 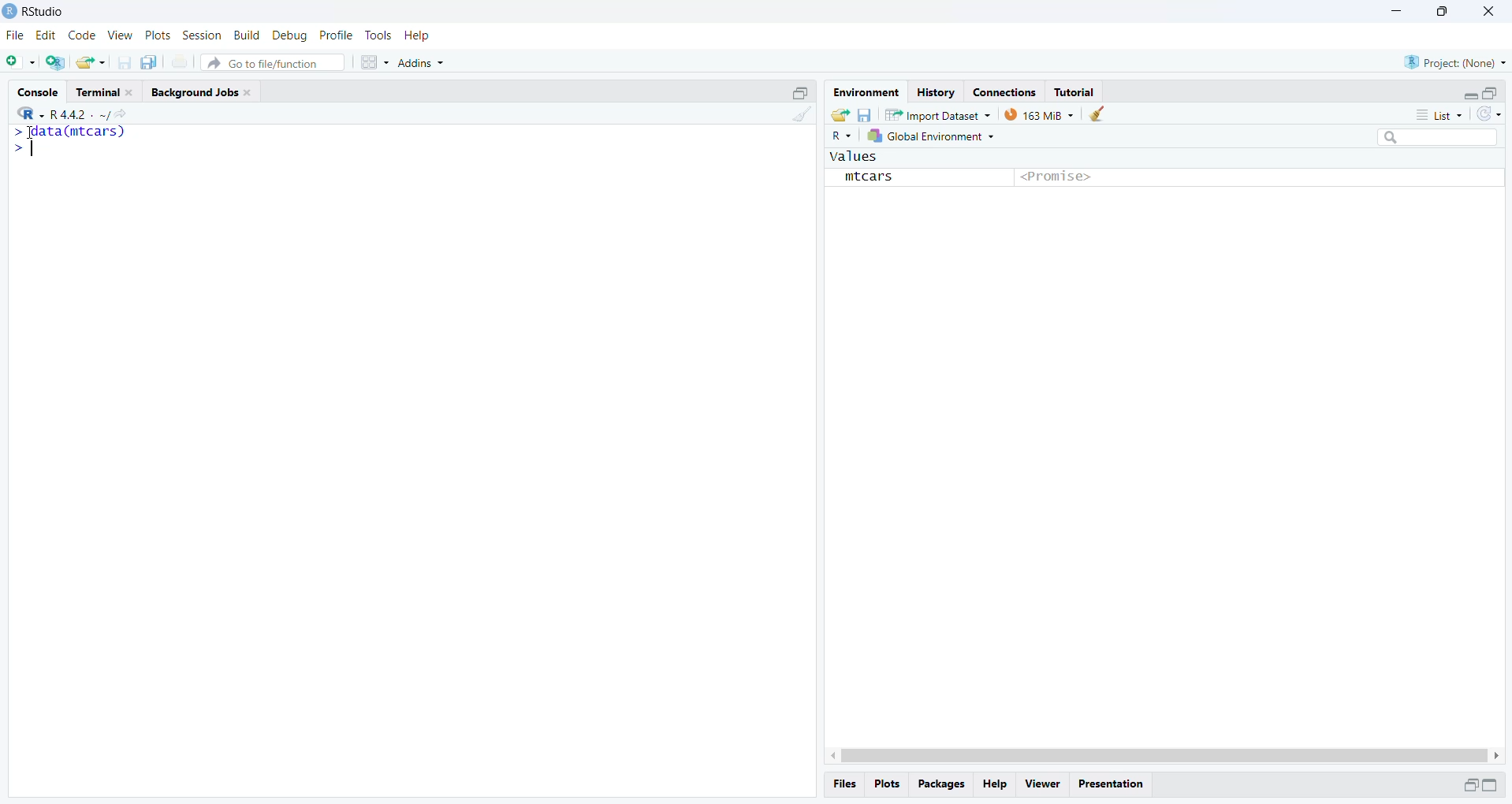 What do you see at coordinates (80, 115) in the screenshot?
I see `R 4.4.2 ~/` at bounding box center [80, 115].